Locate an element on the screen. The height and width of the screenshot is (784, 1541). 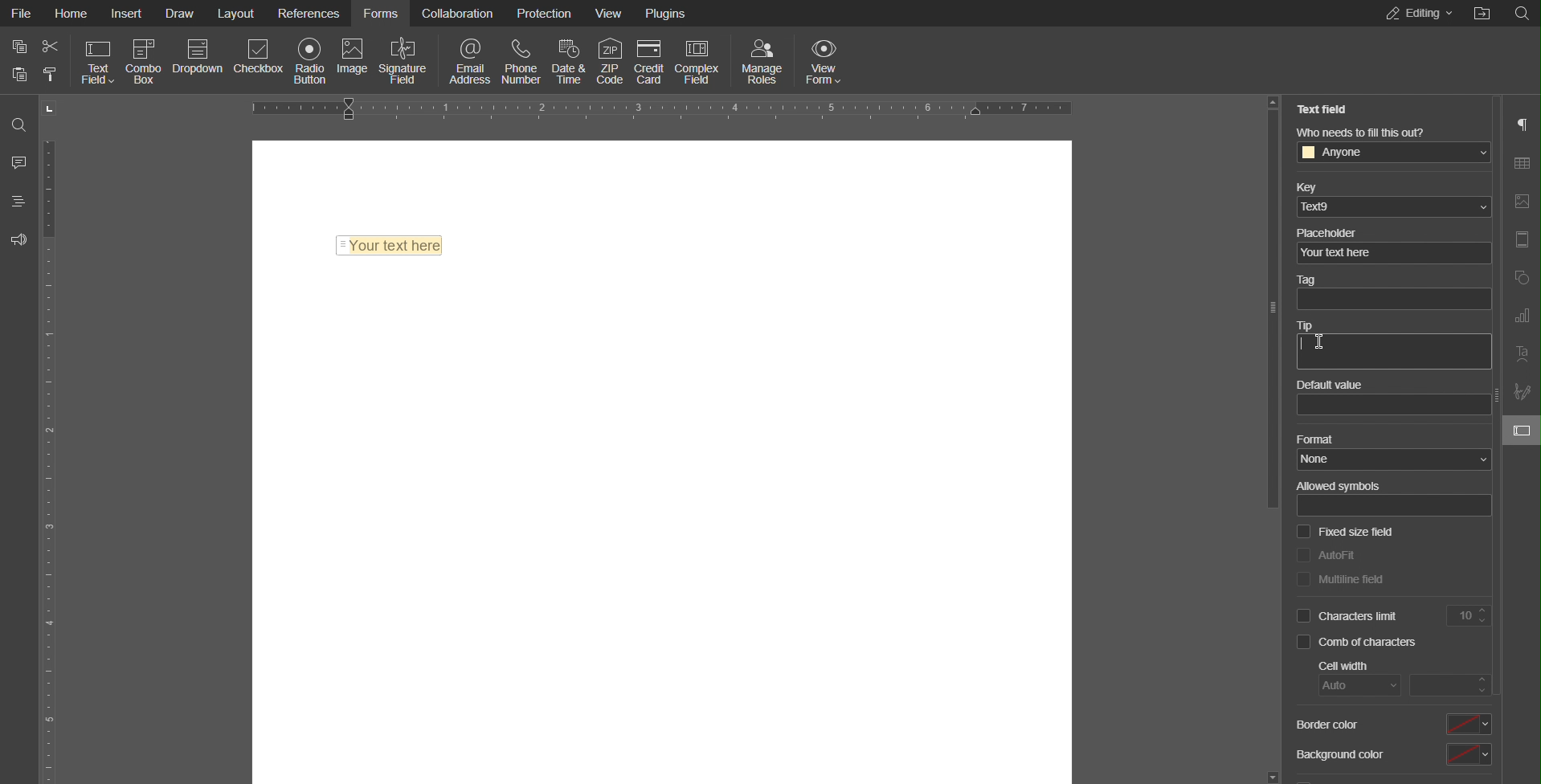
Plugins is located at coordinates (668, 12).